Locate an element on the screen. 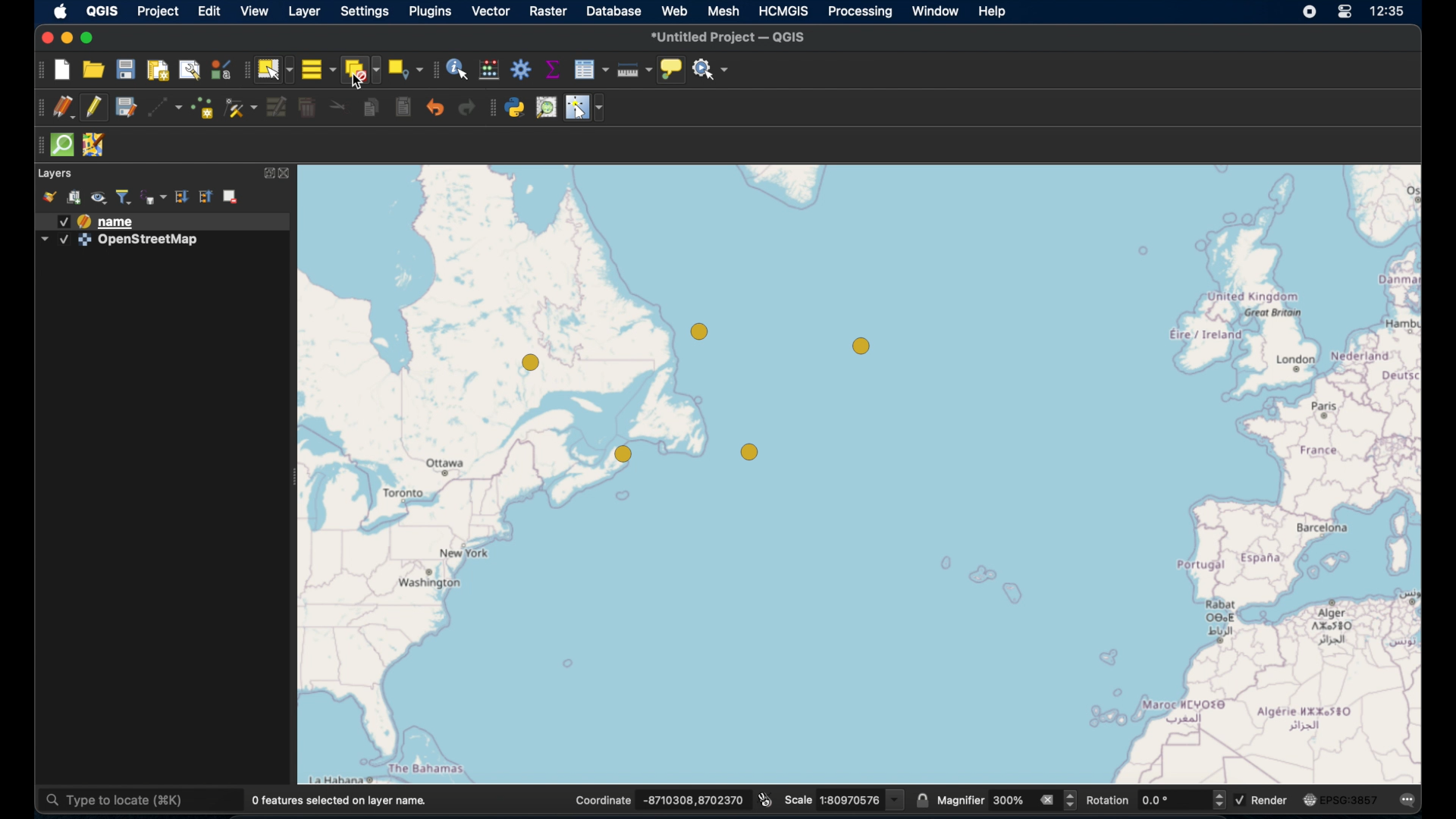  Magnifier value is located at coordinates (1009, 800).